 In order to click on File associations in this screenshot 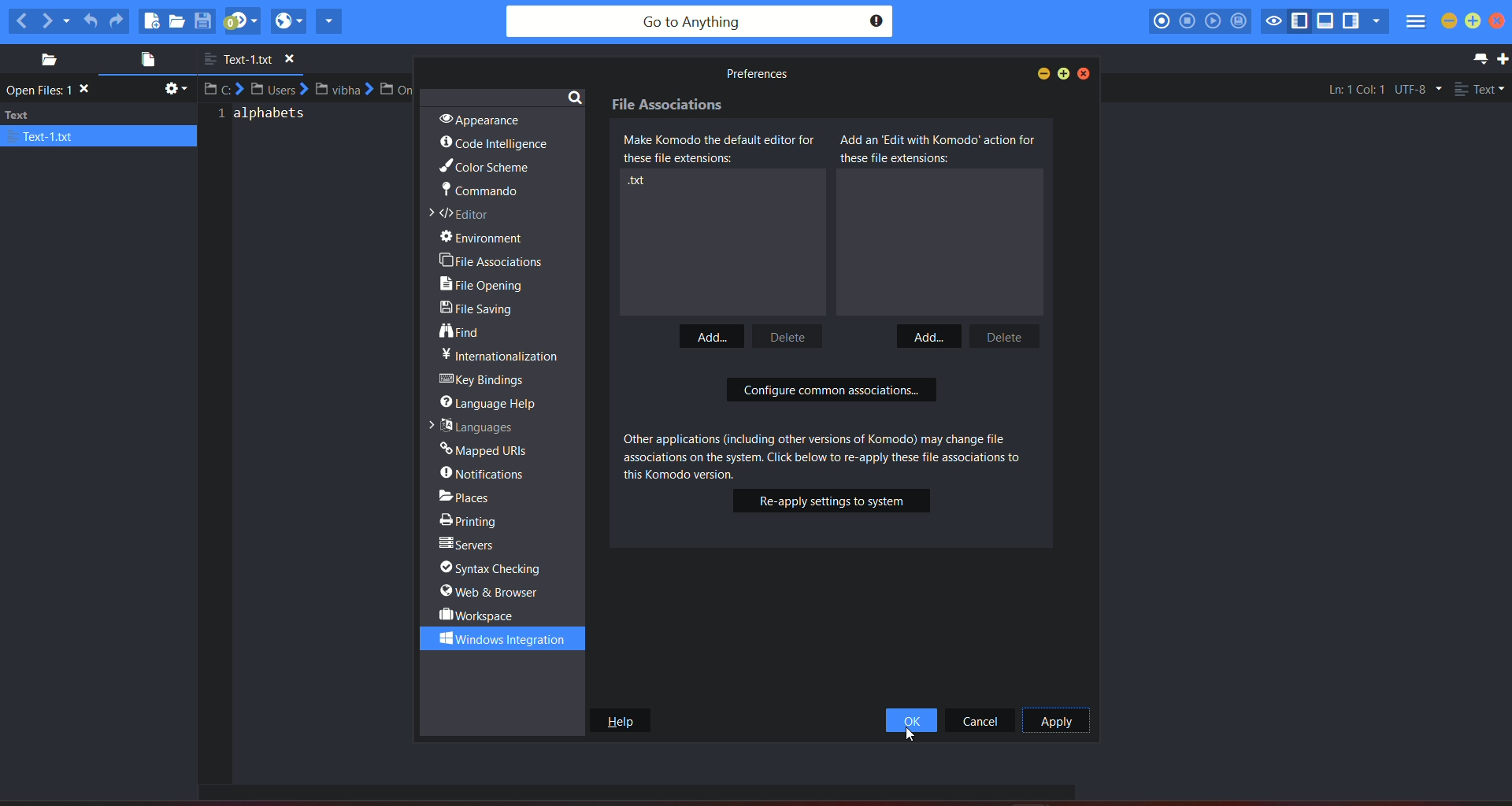, I will do `click(670, 106)`.